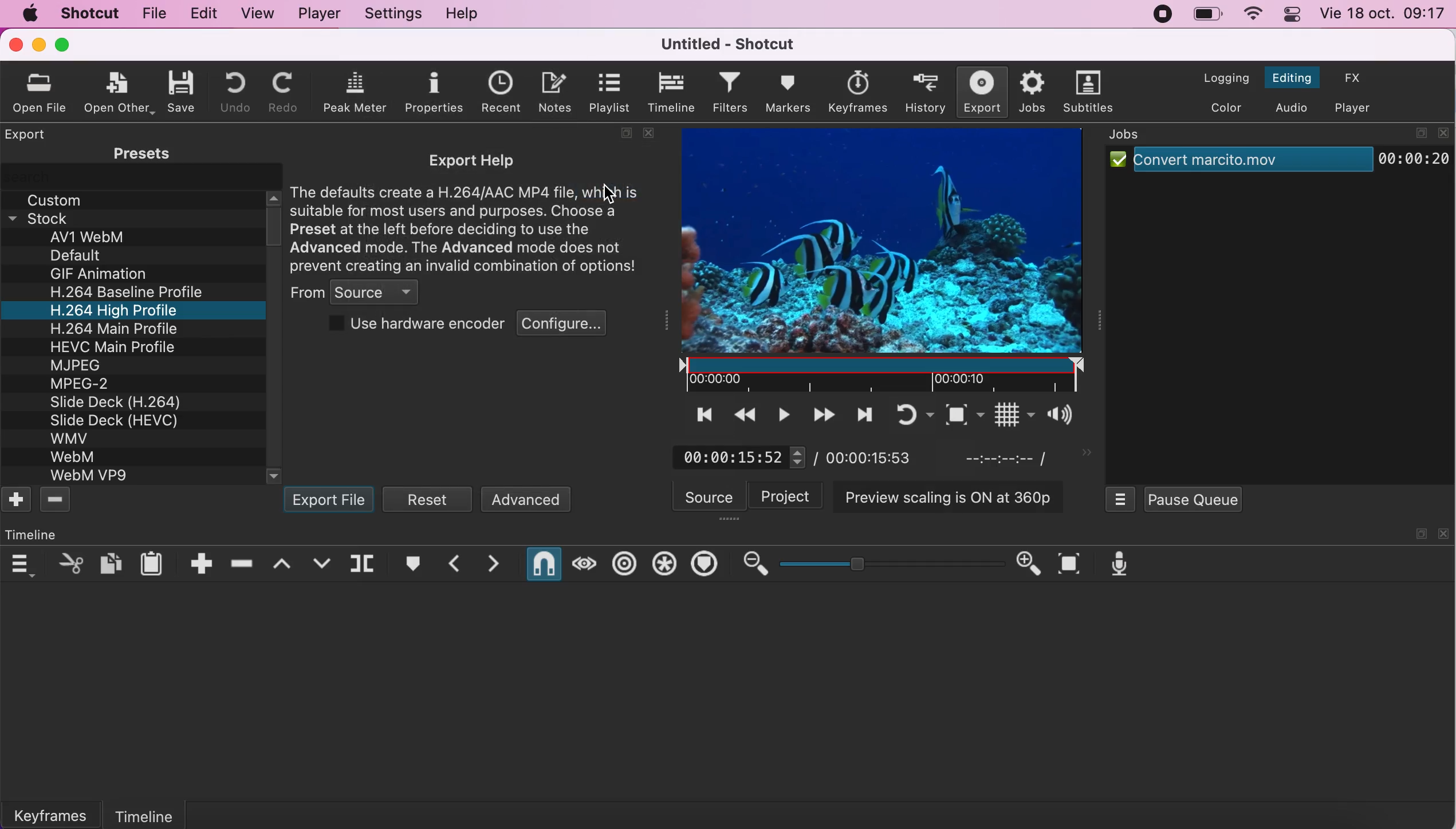 This screenshot has height=829, width=1456. Describe the element at coordinates (997, 416) in the screenshot. I see `toggle grid display on the player` at that location.